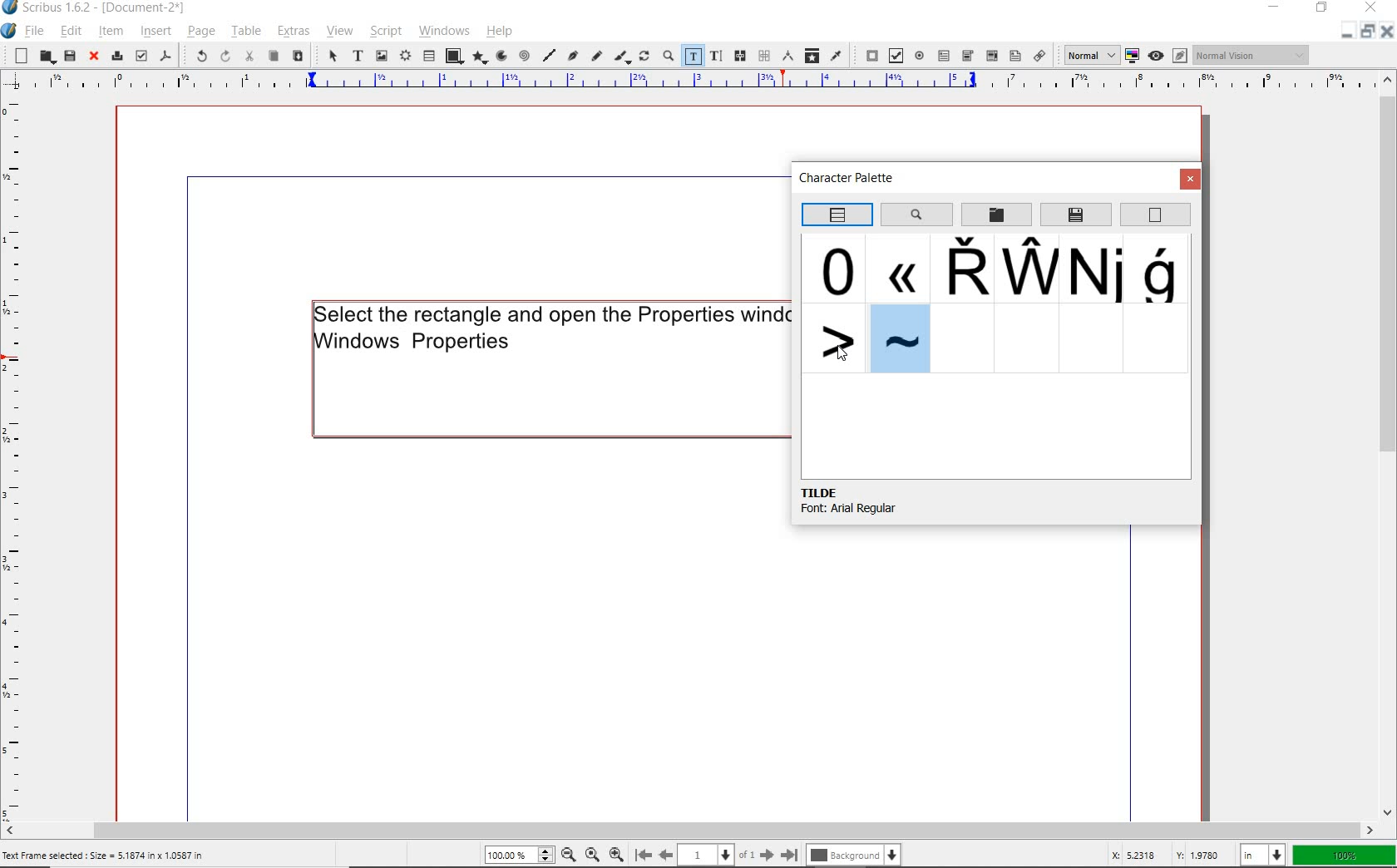  What do you see at coordinates (116, 56) in the screenshot?
I see `print` at bounding box center [116, 56].